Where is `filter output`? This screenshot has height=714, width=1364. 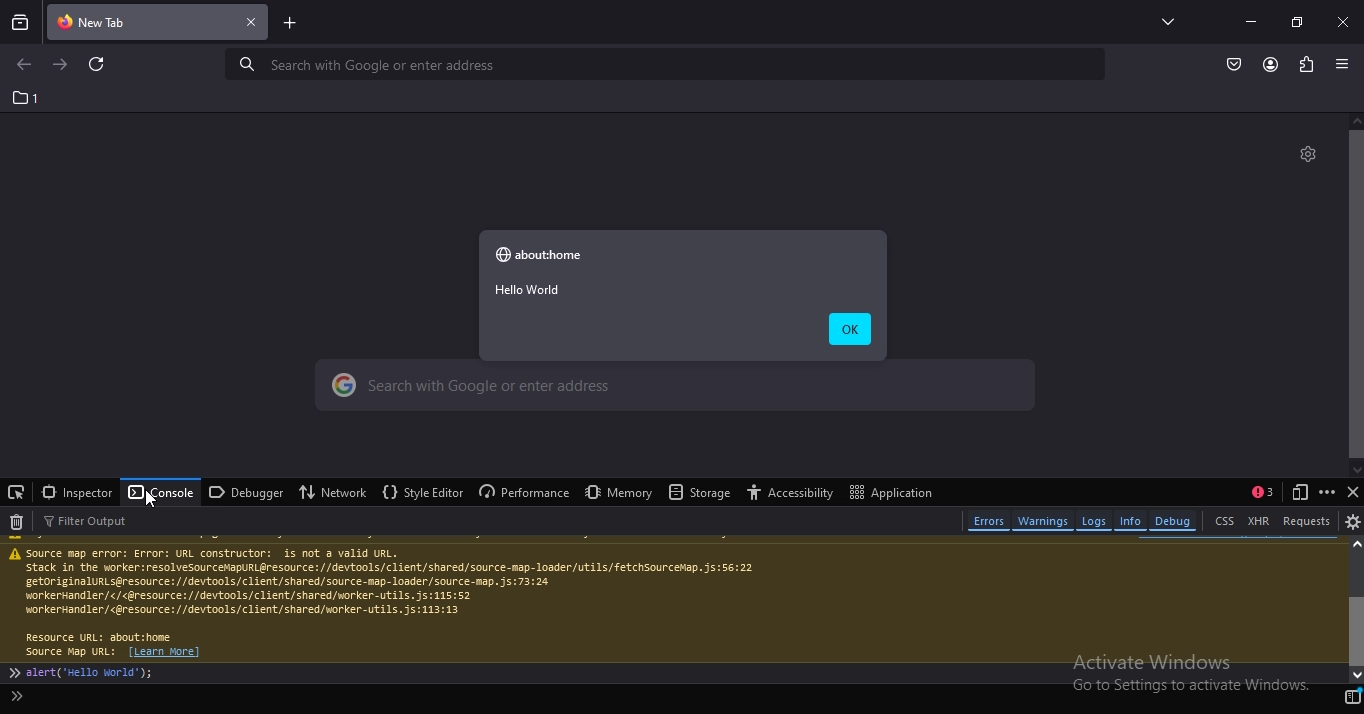 filter output is located at coordinates (95, 522).